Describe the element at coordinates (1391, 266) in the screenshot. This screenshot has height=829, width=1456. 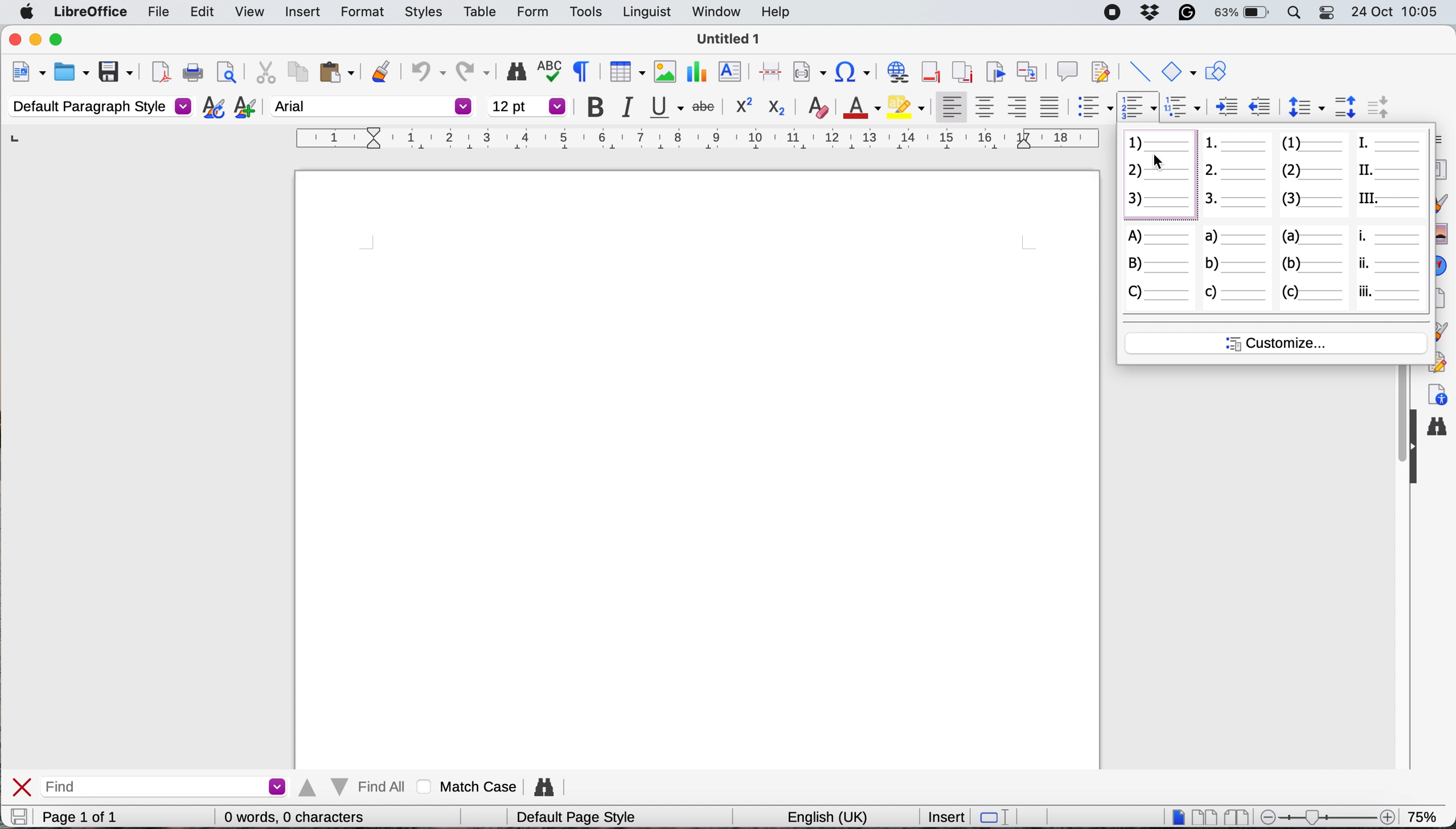
I see `lowercase roman numerals` at that location.